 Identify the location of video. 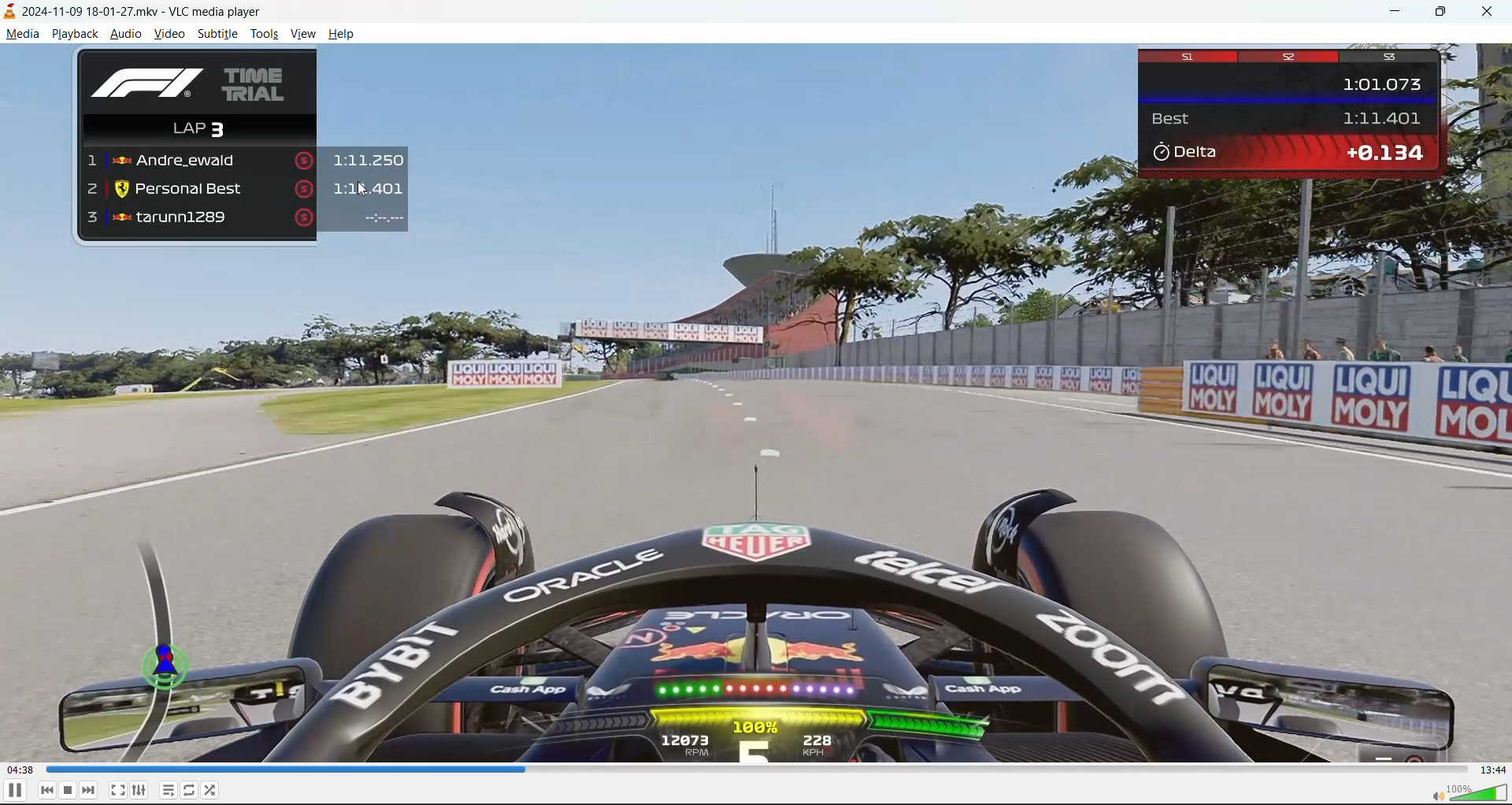
(168, 35).